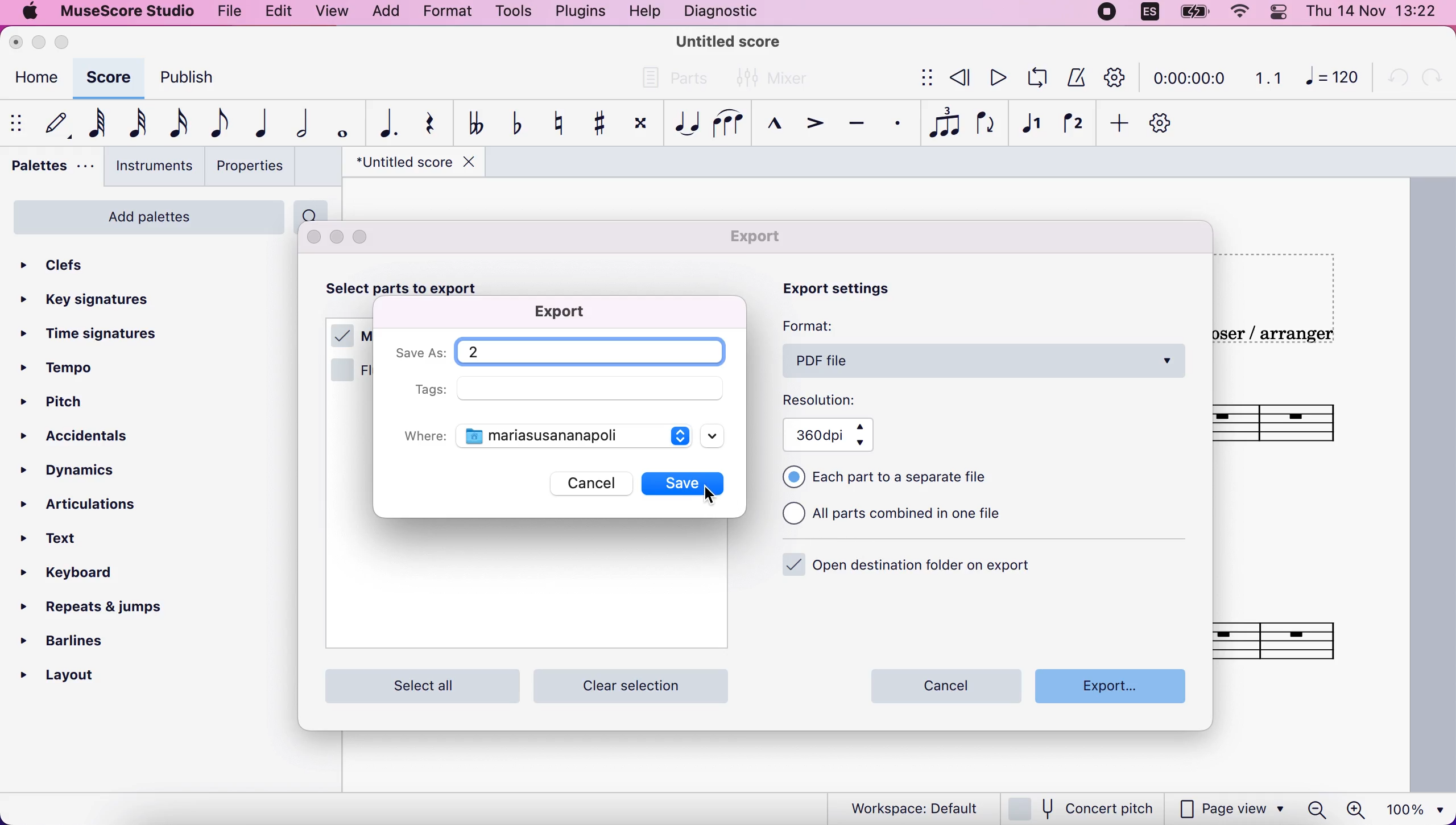 This screenshot has width=1456, height=825. Describe the element at coordinates (329, 14) in the screenshot. I see `view` at that location.